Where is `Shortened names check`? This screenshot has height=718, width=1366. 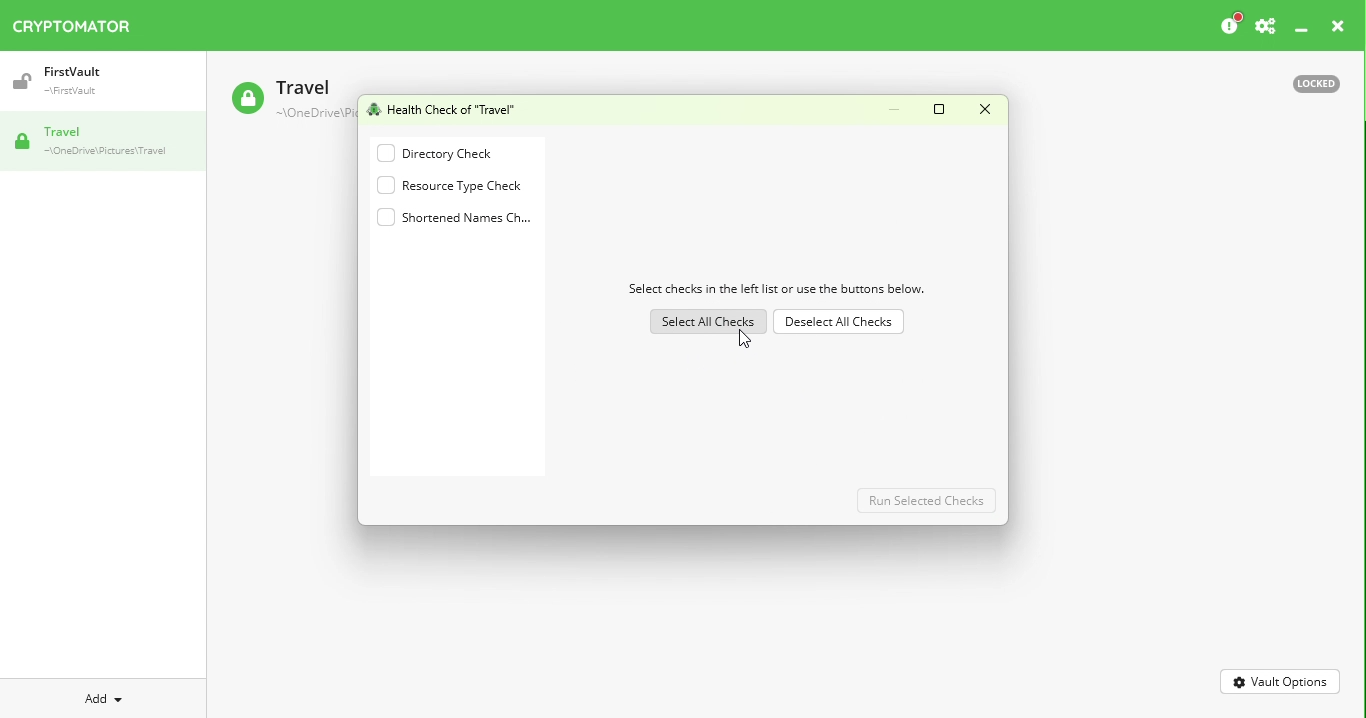 Shortened names check is located at coordinates (469, 218).